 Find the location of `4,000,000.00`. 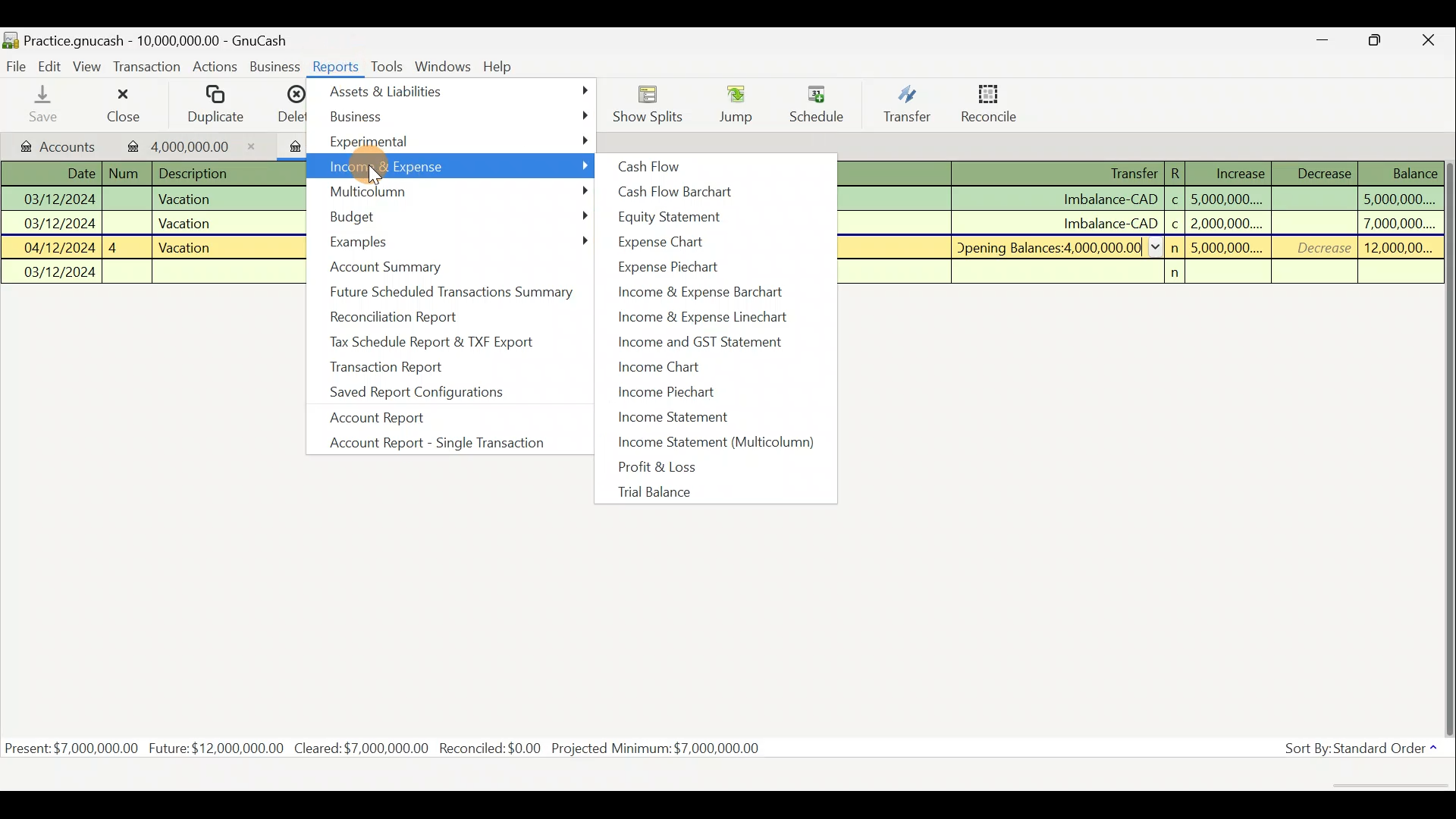

4,000,000.00 is located at coordinates (198, 145).